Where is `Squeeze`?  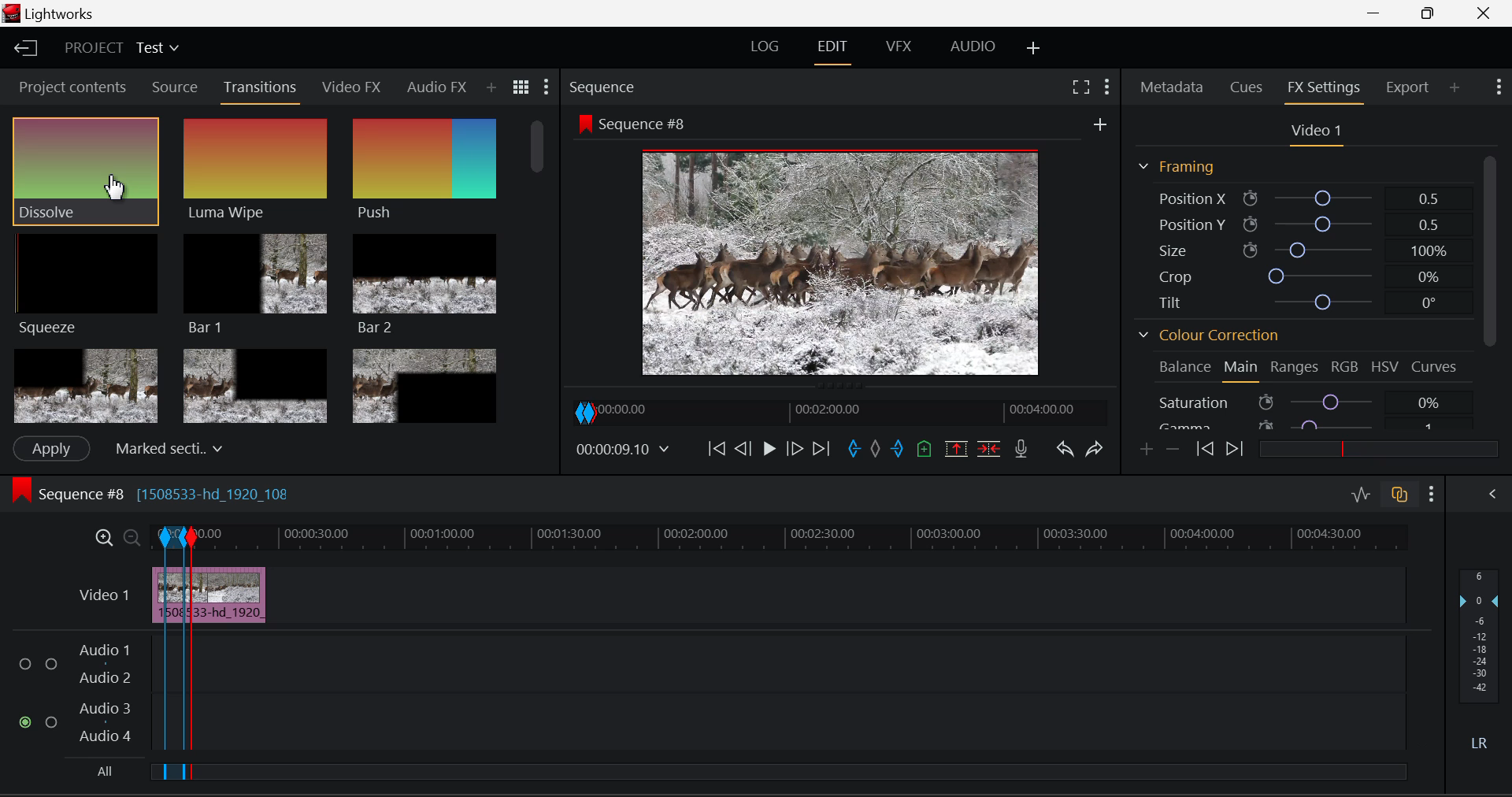
Squeeze is located at coordinates (89, 287).